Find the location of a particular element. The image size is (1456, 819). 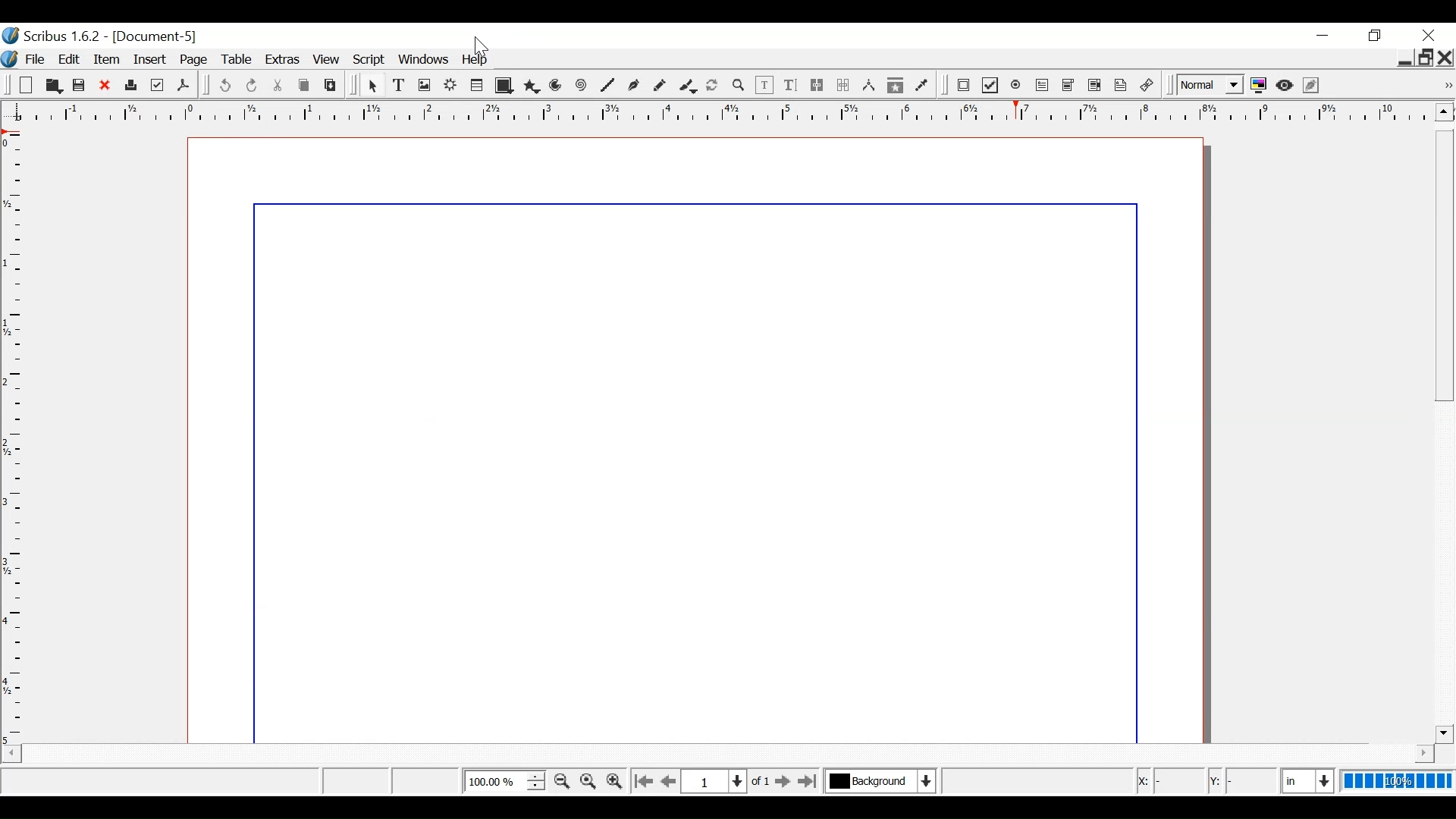

horizontal bar is located at coordinates (1404, 753).